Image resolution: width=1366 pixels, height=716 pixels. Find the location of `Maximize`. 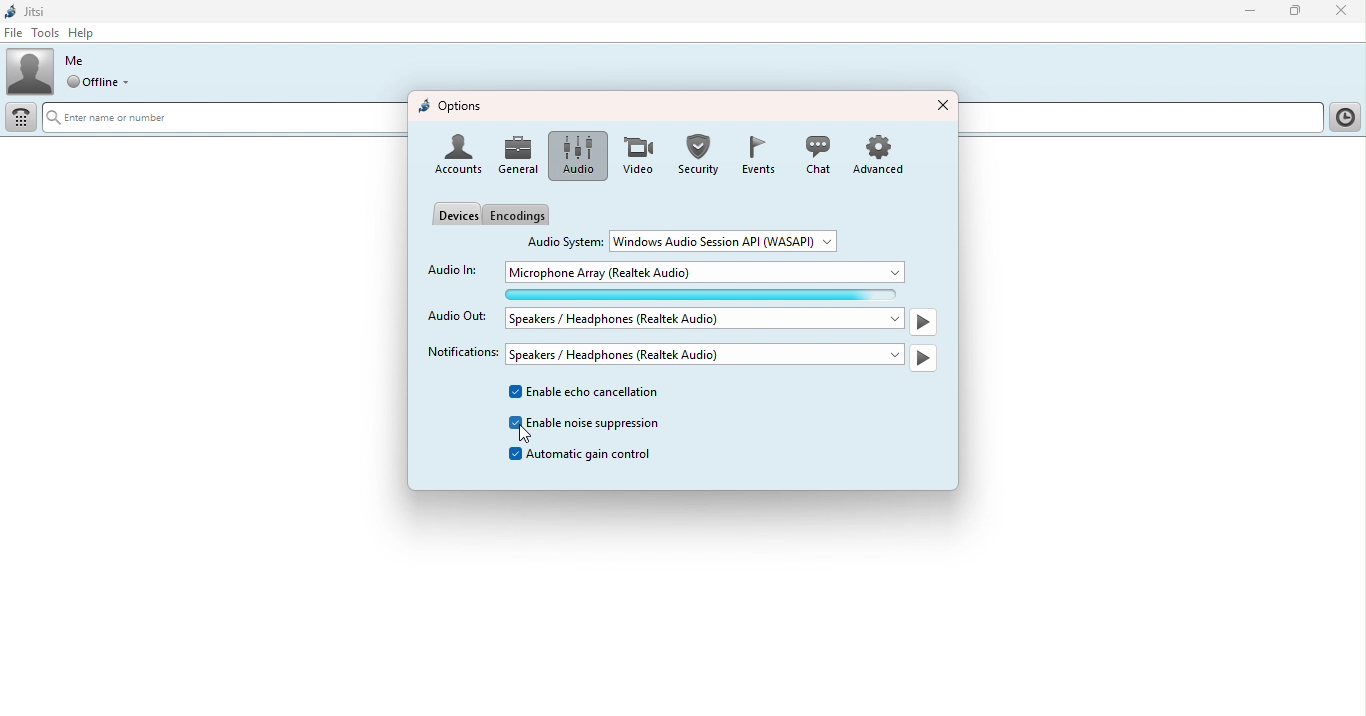

Maximize is located at coordinates (1298, 13).